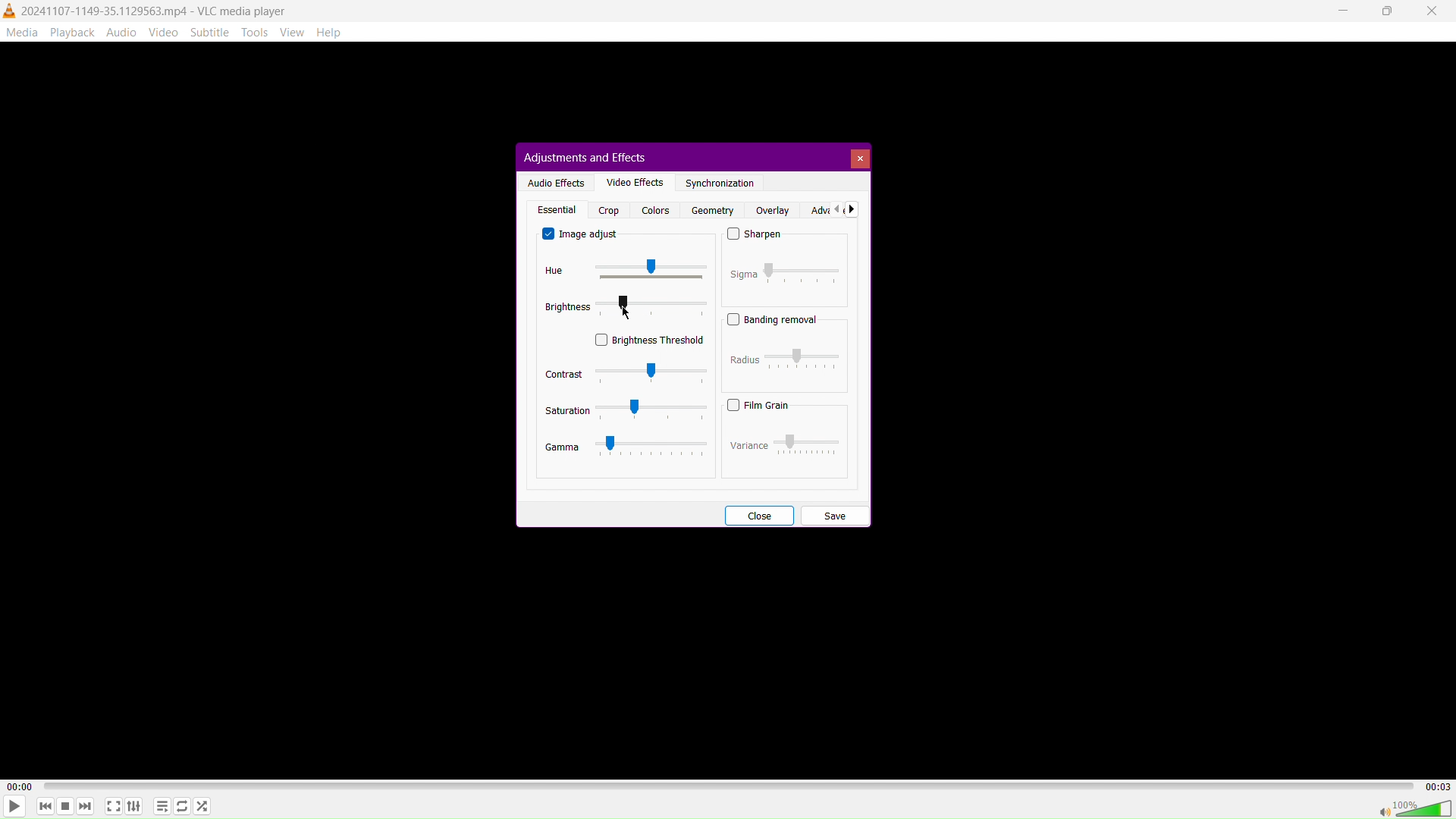 This screenshot has width=1456, height=819. What do you see at coordinates (1414, 808) in the screenshot?
I see `Volume 100%` at bounding box center [1414, 808].